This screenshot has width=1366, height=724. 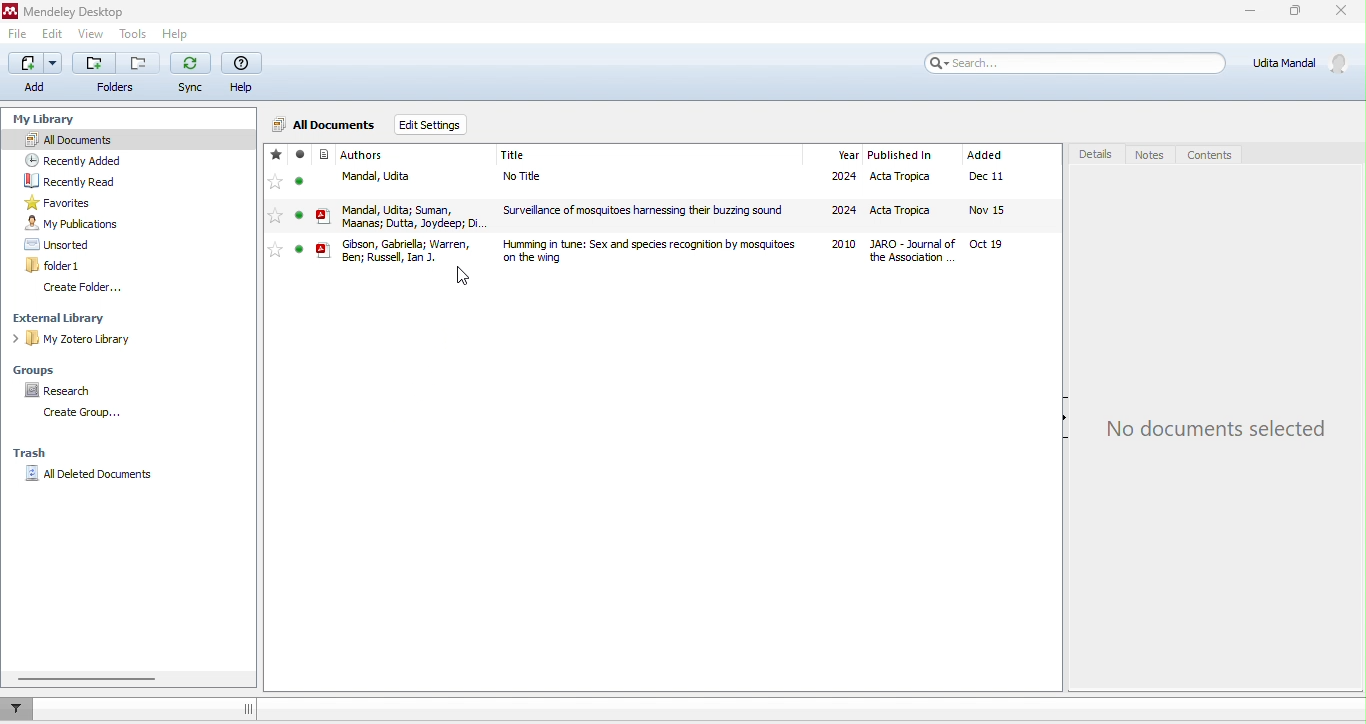 What do you see at coordinates (363, 155) in the screenshot?
I see `journal author name` at bounding box center [363, 155].